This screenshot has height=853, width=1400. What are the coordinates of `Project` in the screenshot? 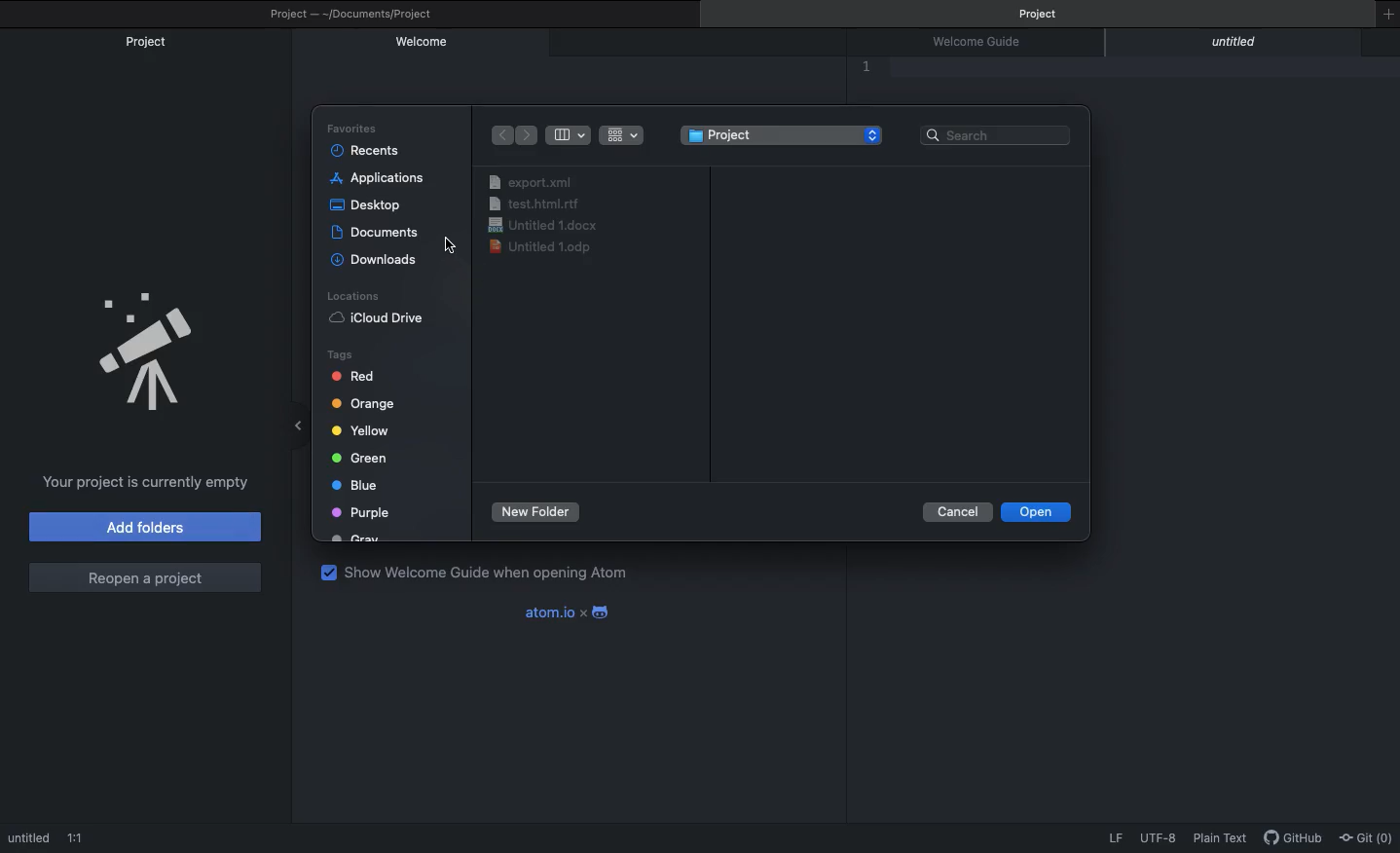 It's located at (150, 43).